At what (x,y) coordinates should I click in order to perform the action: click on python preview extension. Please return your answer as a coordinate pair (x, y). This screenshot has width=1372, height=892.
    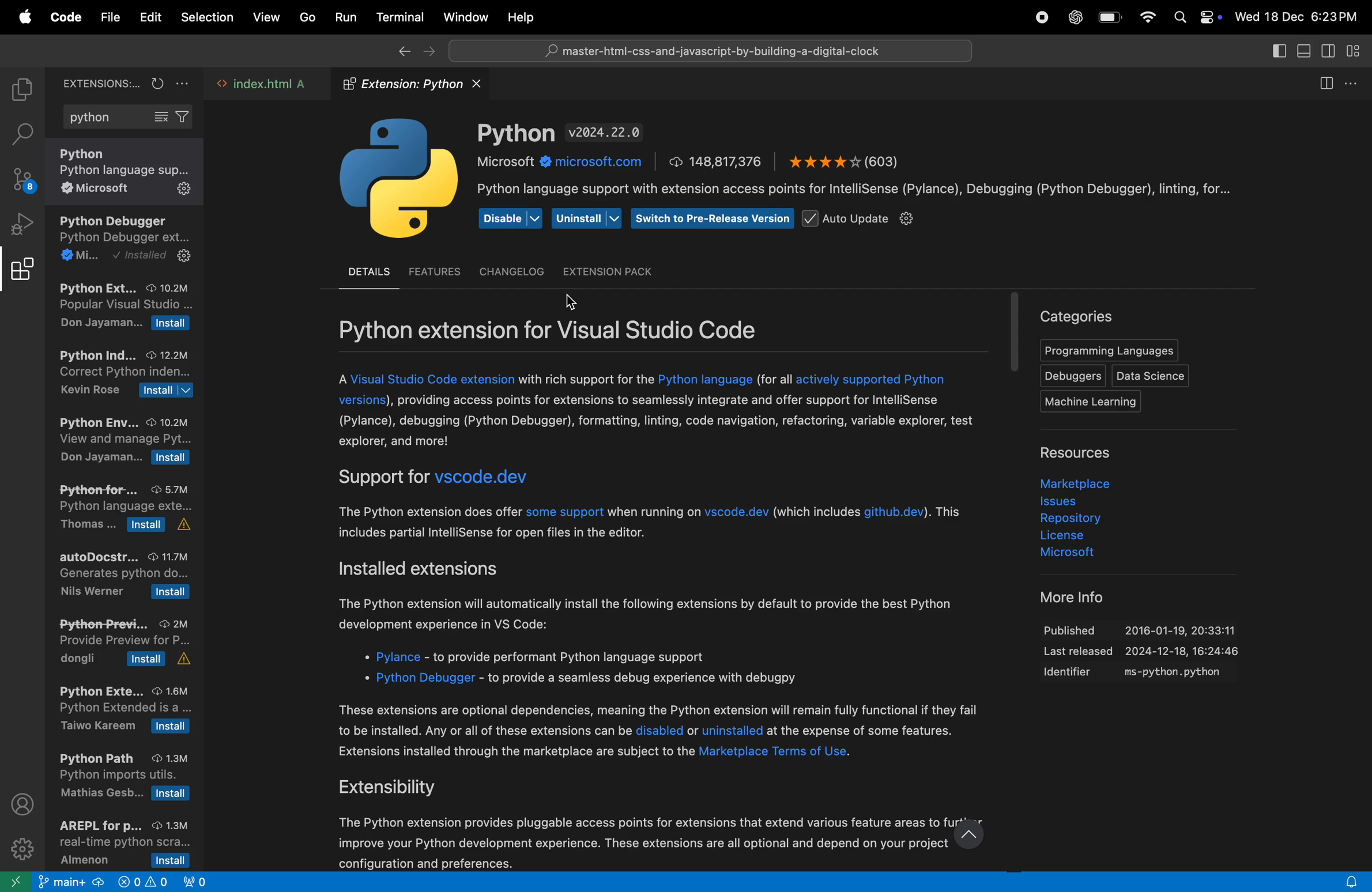
    Looking at the image, I should click on (121, 641).